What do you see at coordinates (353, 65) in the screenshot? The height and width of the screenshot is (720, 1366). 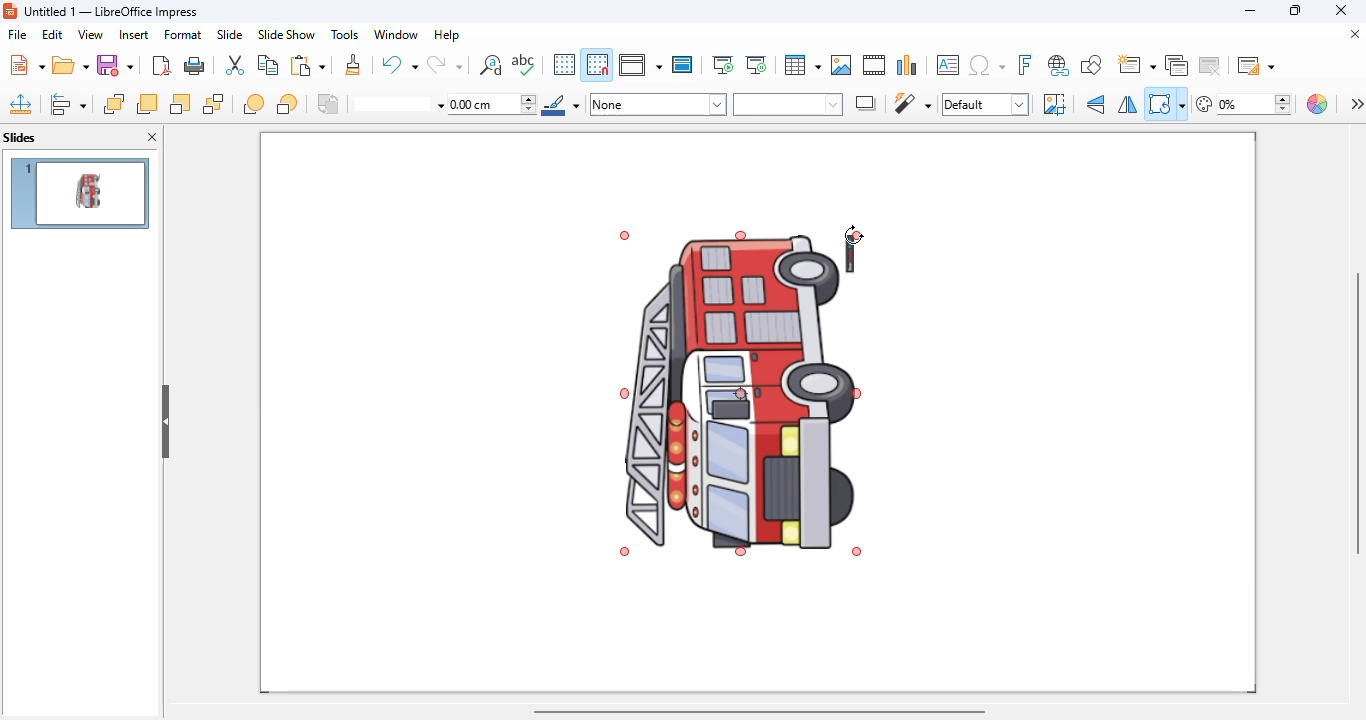 I see `clone formatting` at bounding box center [353, 65].